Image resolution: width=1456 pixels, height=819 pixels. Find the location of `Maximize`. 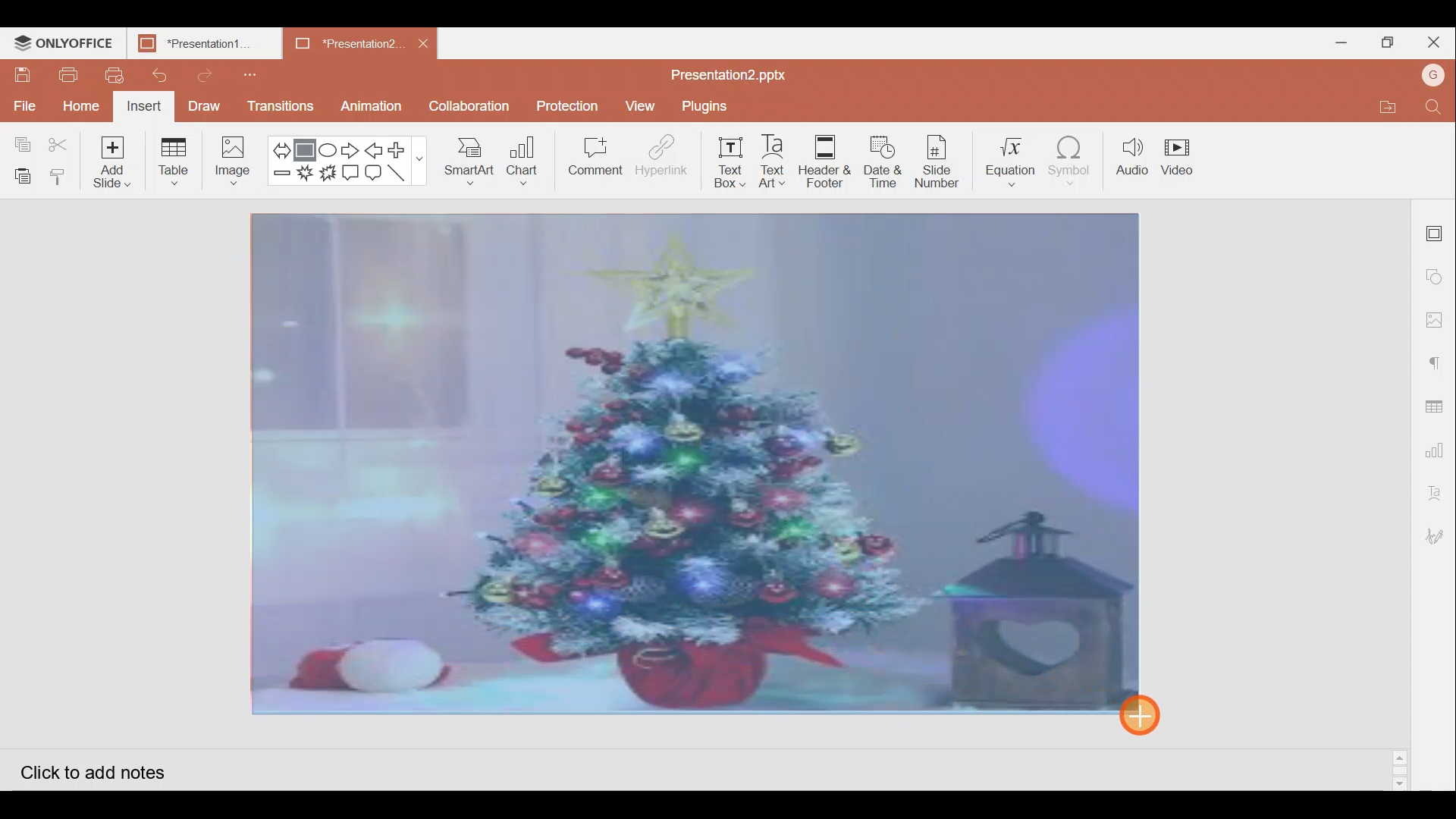

Maximize is located at coordinates (1386, 41).